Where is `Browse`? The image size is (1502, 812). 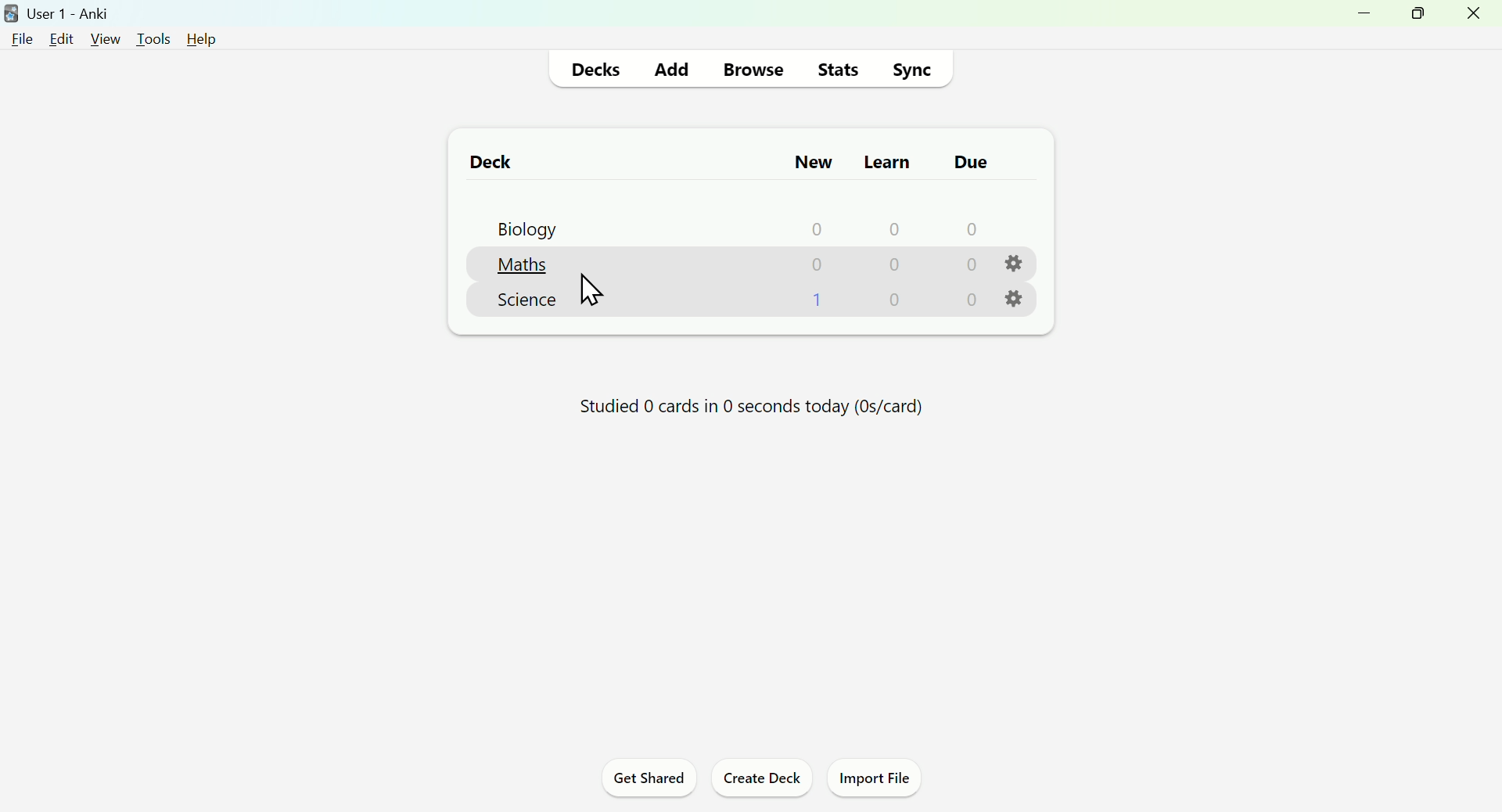
Browse is located at coordinates (749, 71).